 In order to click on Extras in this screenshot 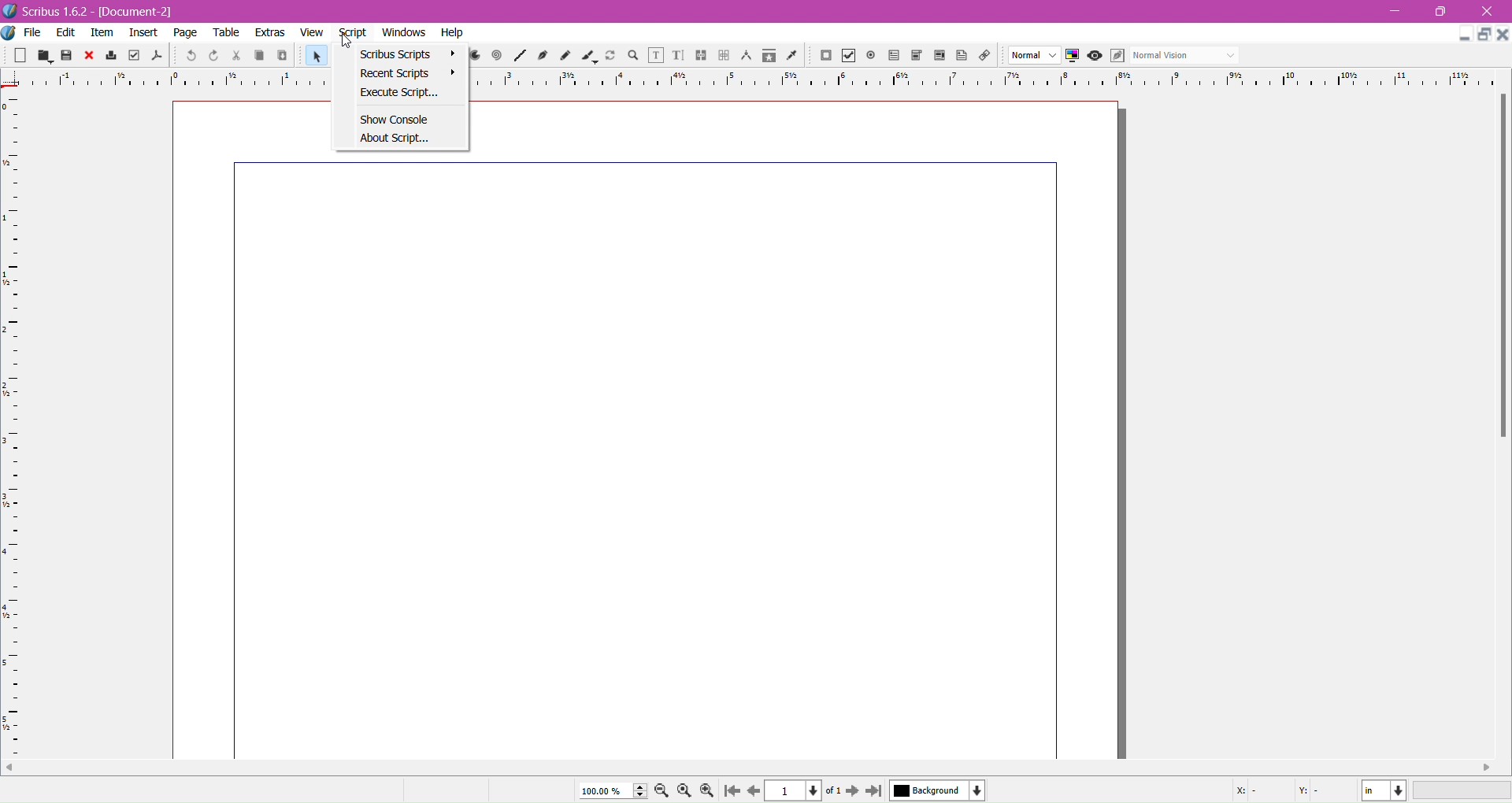, I will do `click(269, 32)`.